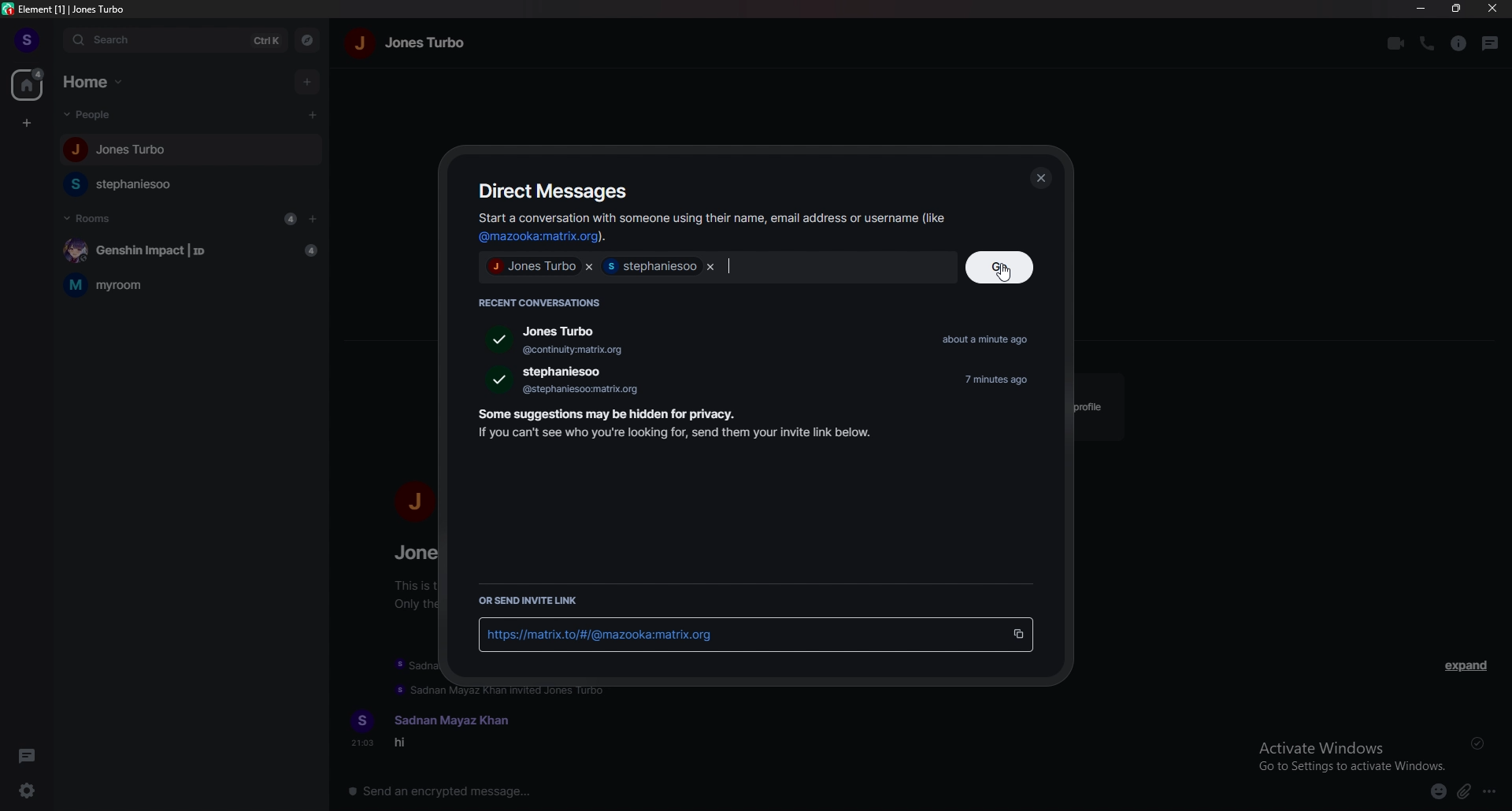 The width and height of the screenshot is (1512, 811). Describe the element at coordinates (534, 601) in the screenshot. I see `or send invite link` at that location.